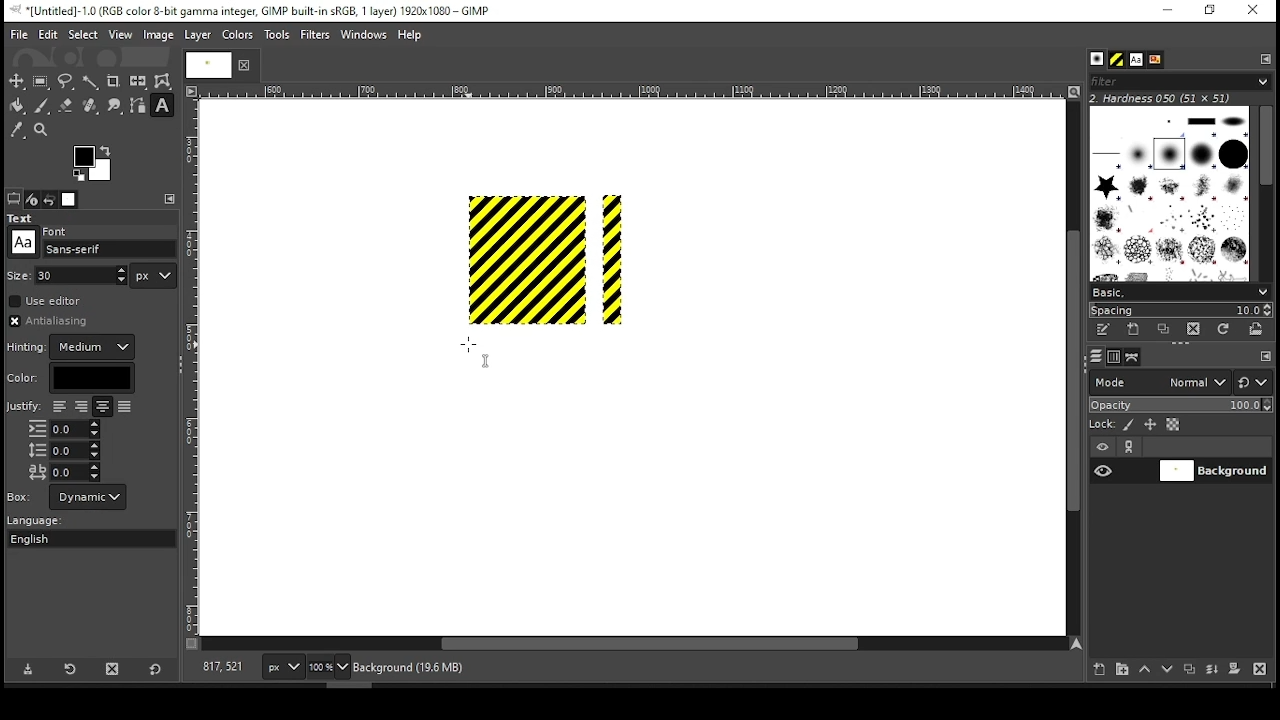  What do you see at coordinates (1169, 193) in the screenshot?
I see `brushes` at bounding box center [1169, 193].